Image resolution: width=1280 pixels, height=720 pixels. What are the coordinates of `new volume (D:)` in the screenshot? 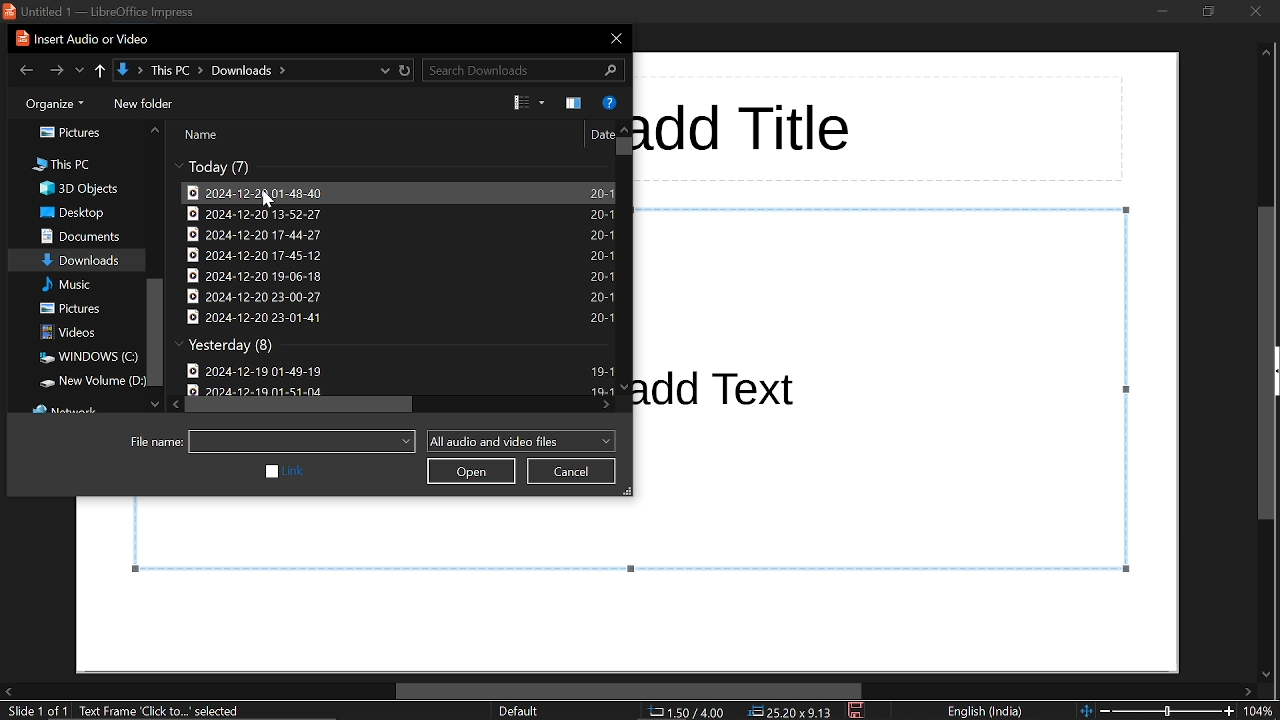 It's located at (87, 382).